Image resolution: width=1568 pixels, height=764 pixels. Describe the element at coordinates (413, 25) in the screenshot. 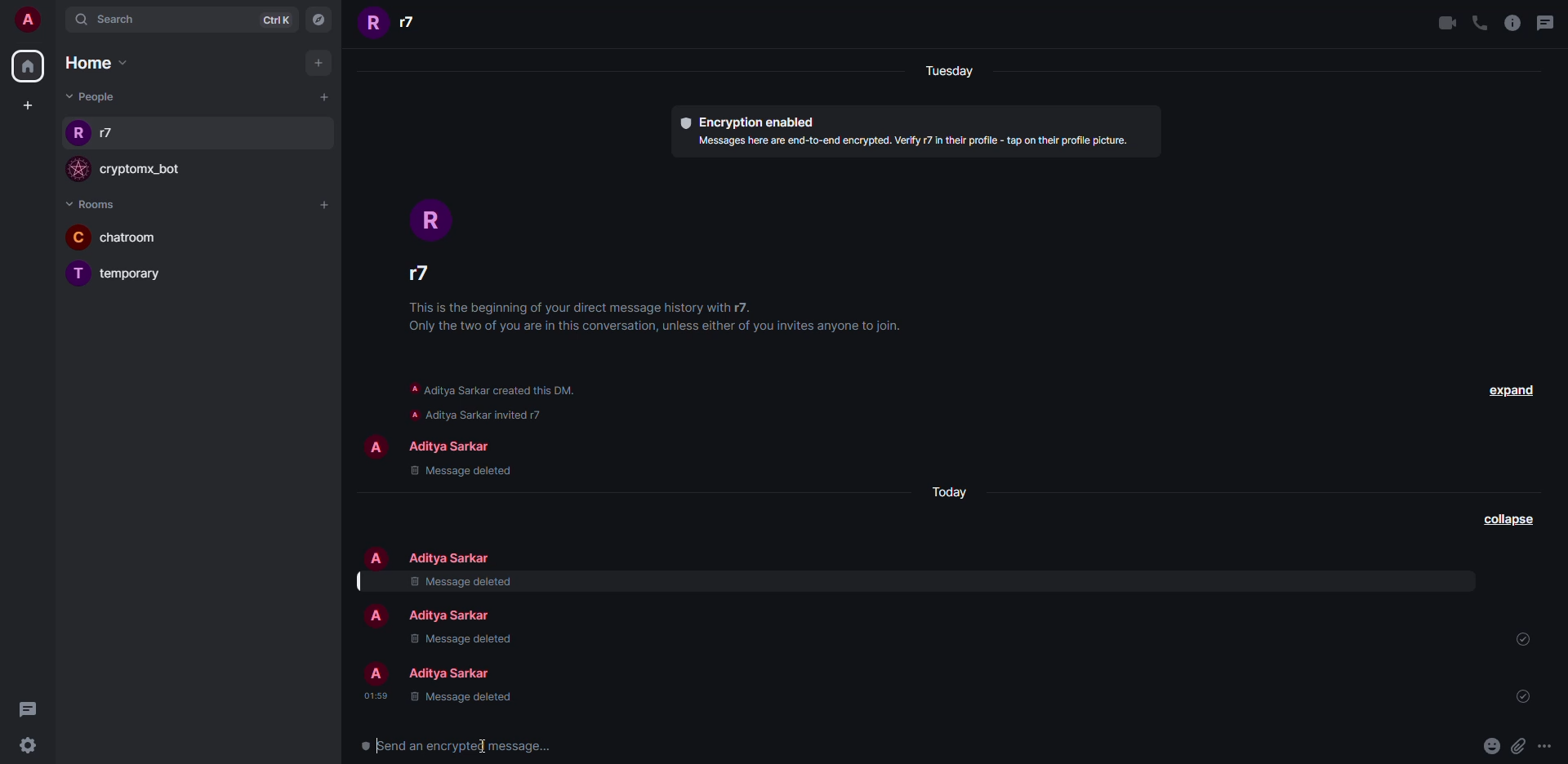

I see `people` at that location.